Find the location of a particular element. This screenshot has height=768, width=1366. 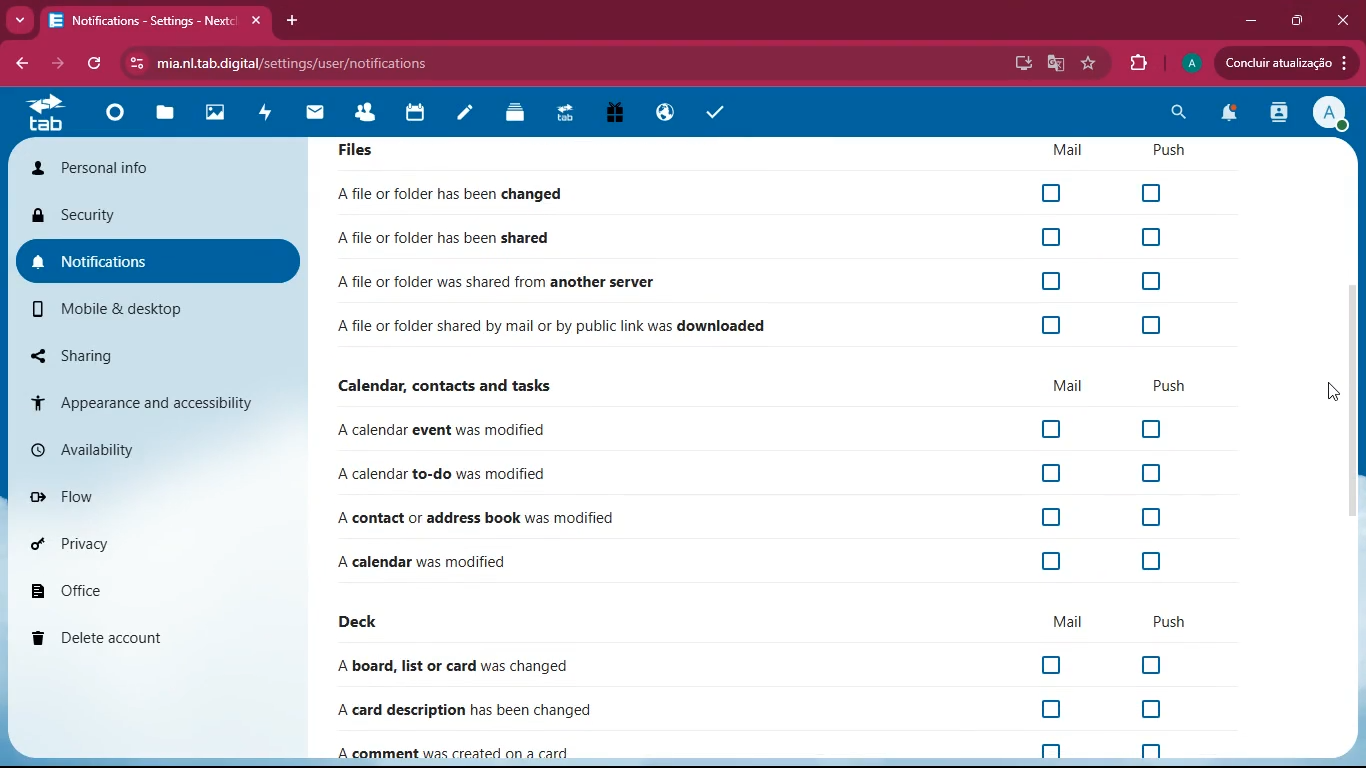

tab is located at coordinates (47, 116).